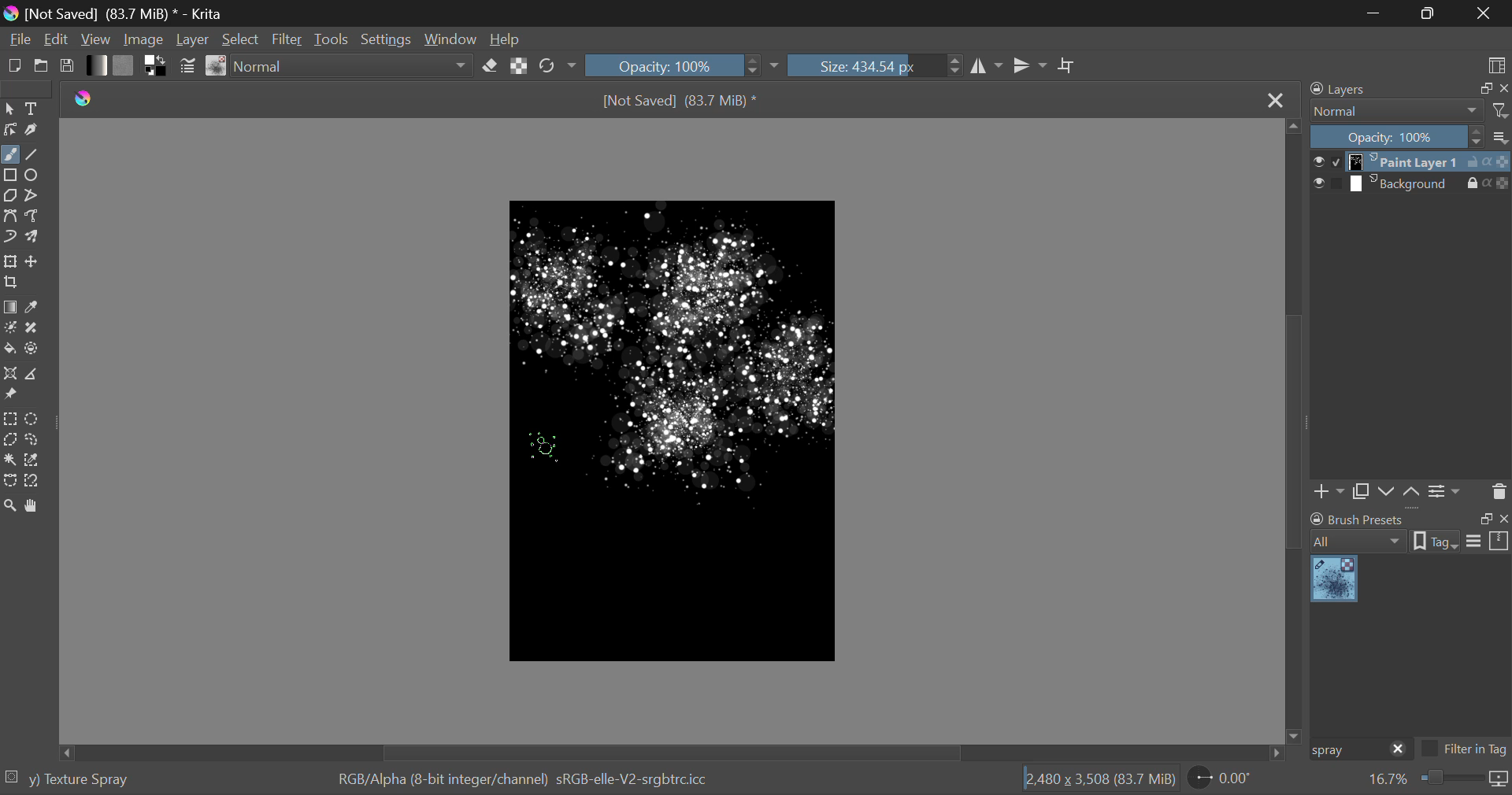 The height and width of the screenshot is (795, 1512). I want to click on Polyline, so click(33, 196).